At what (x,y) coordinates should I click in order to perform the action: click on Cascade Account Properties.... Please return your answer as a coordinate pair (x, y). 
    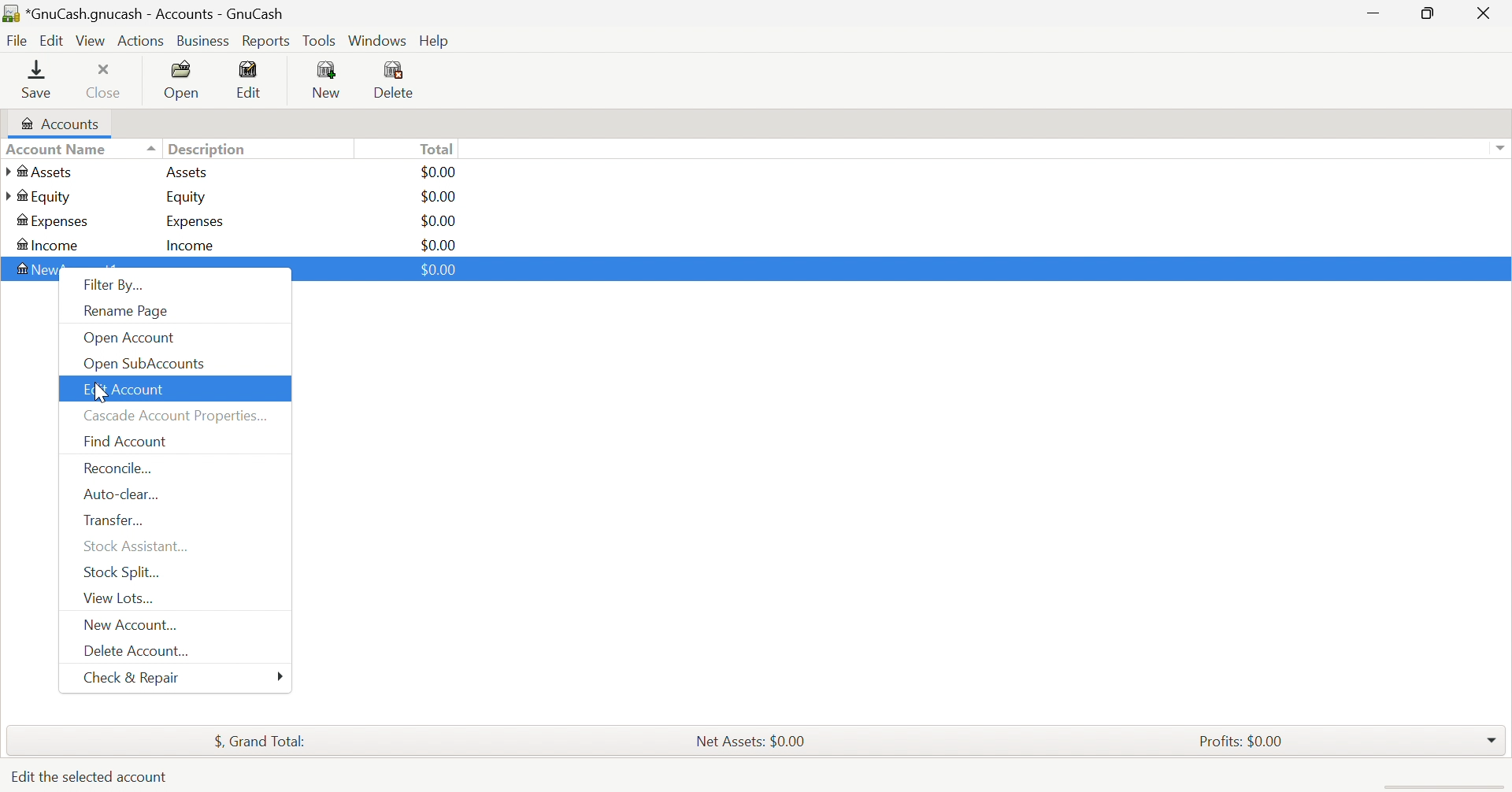
    Looking at the image, I should click on (179, 415).